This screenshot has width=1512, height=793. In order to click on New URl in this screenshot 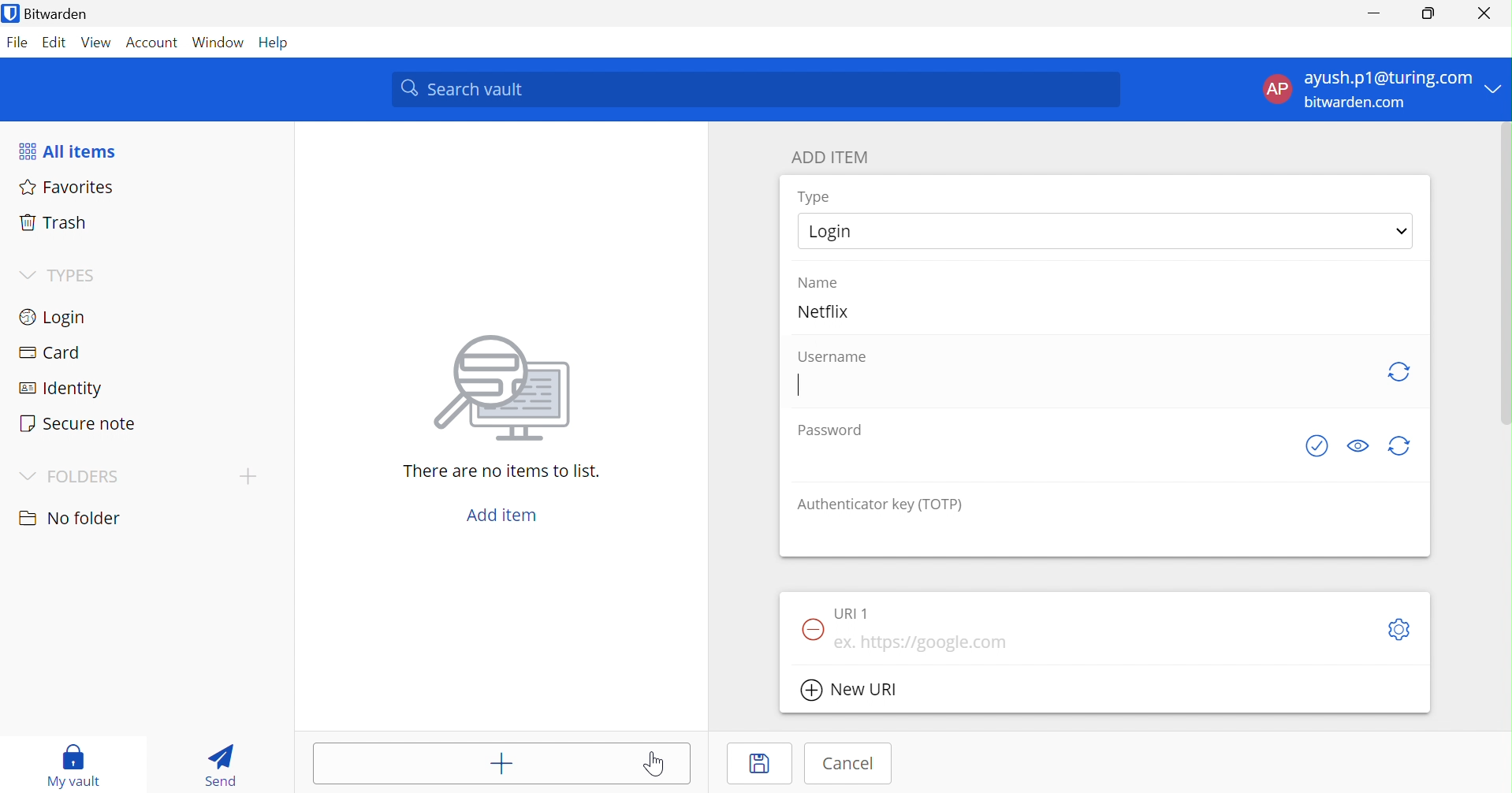, I will do `click(851, 689)`.